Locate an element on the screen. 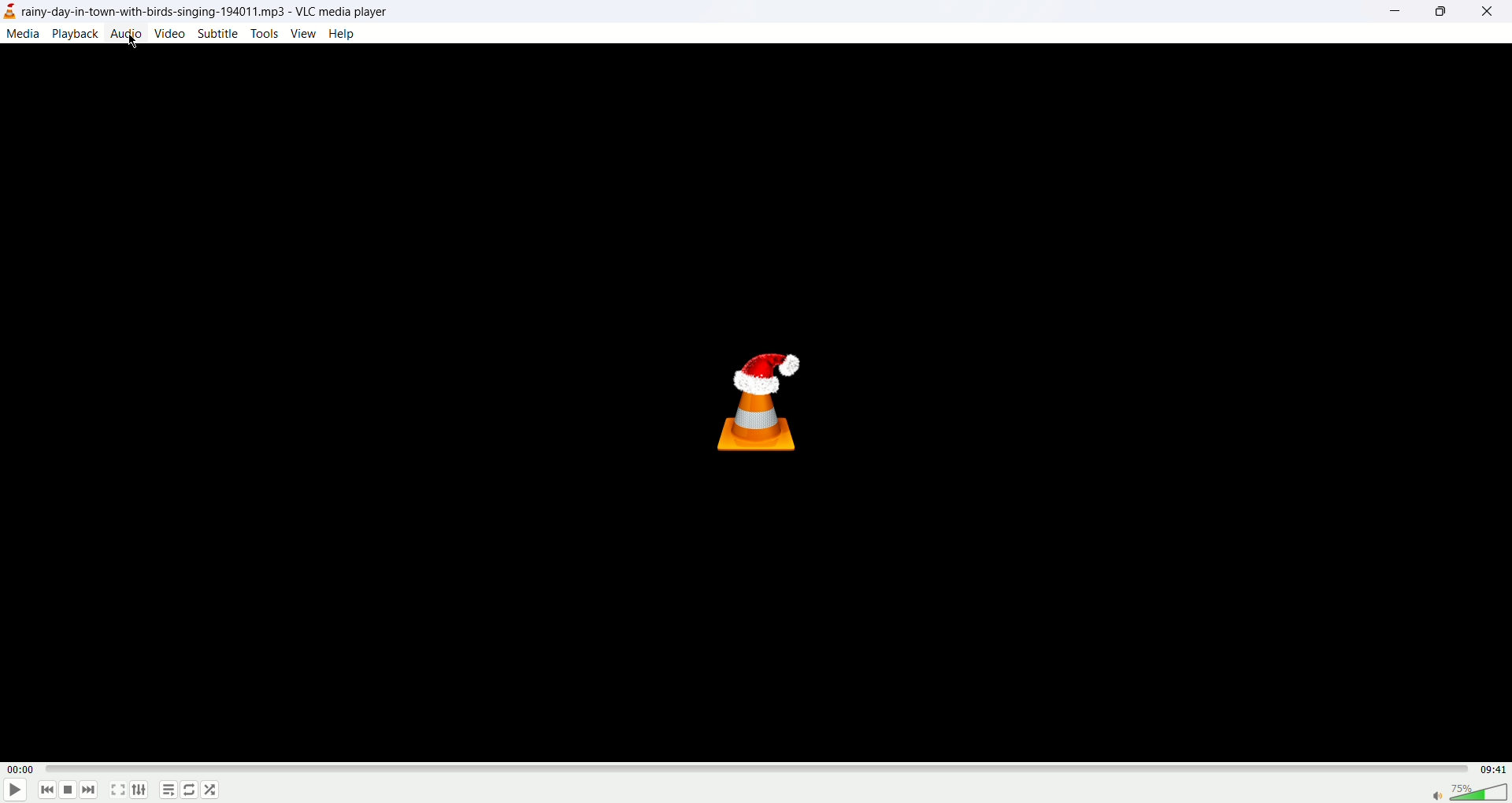 This screenshot has width=1512, height=803. minimize is located at coordinates (1395, 13).